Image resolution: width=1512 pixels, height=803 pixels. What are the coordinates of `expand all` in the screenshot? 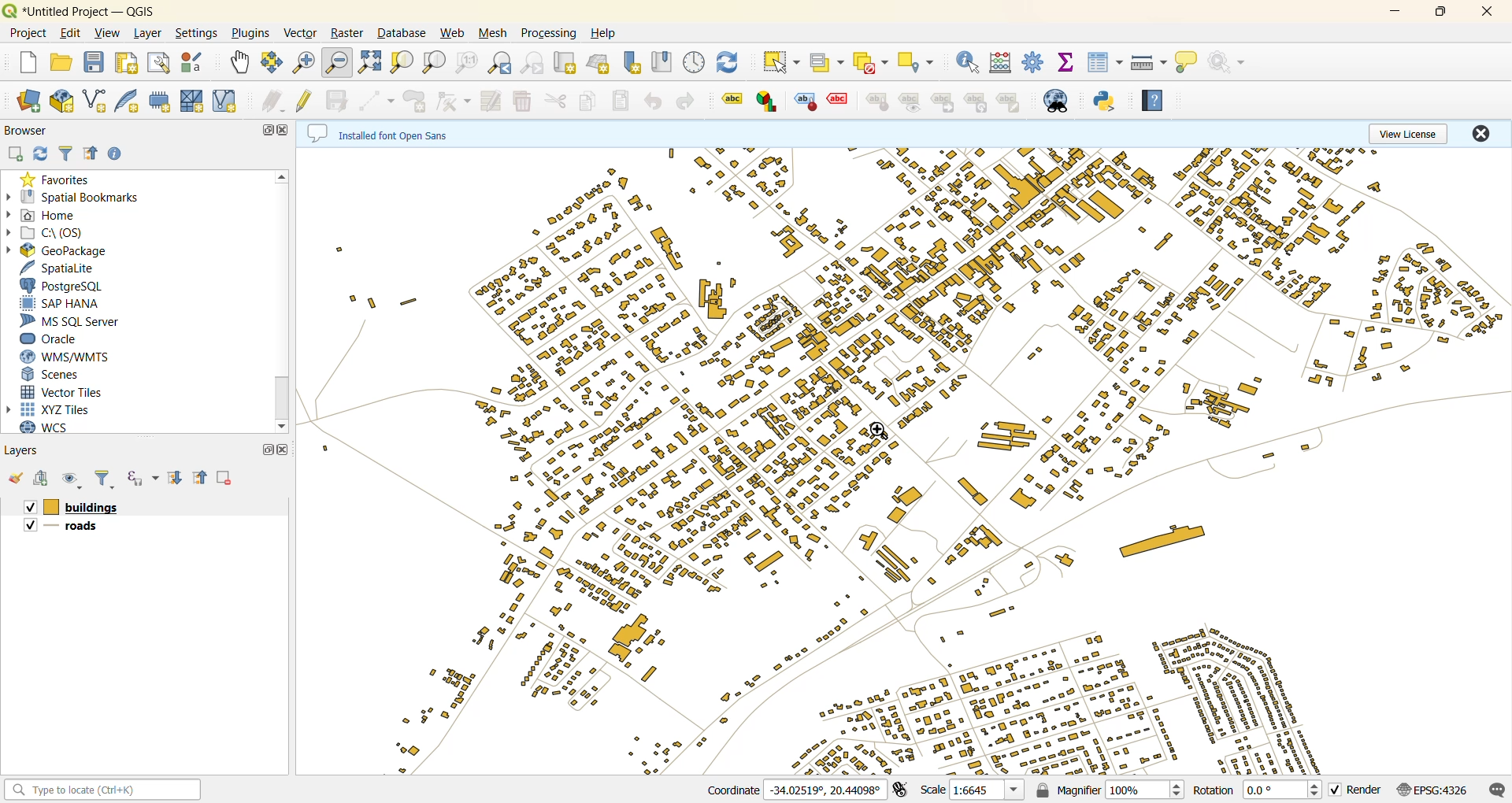 It's located at (171, 479).